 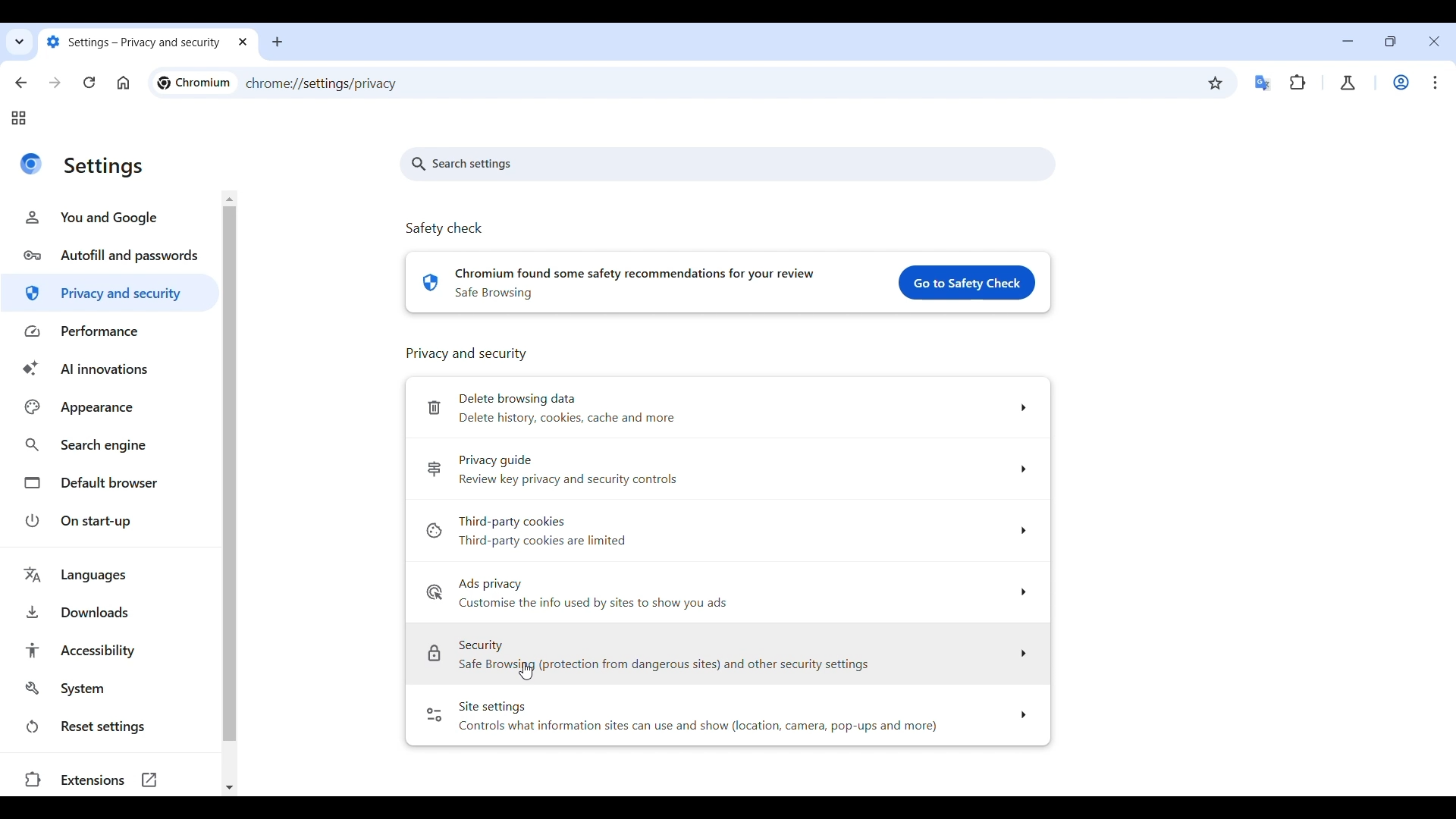 I want to click on Downloads, so click(x=112, y=613).